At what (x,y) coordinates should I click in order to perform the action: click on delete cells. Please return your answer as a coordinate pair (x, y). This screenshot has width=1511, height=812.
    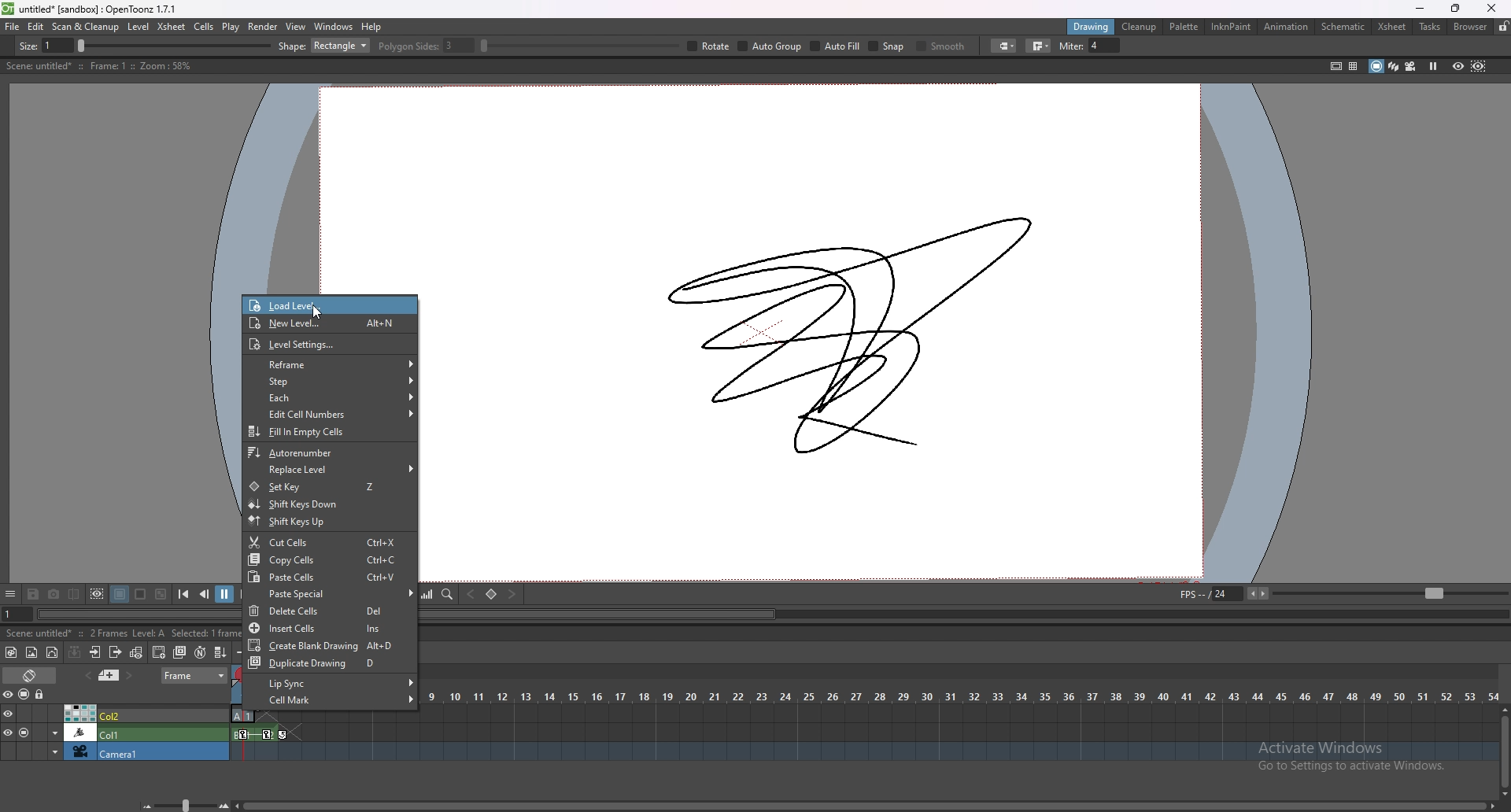
    Looking at the image, I should click on (328, 611).